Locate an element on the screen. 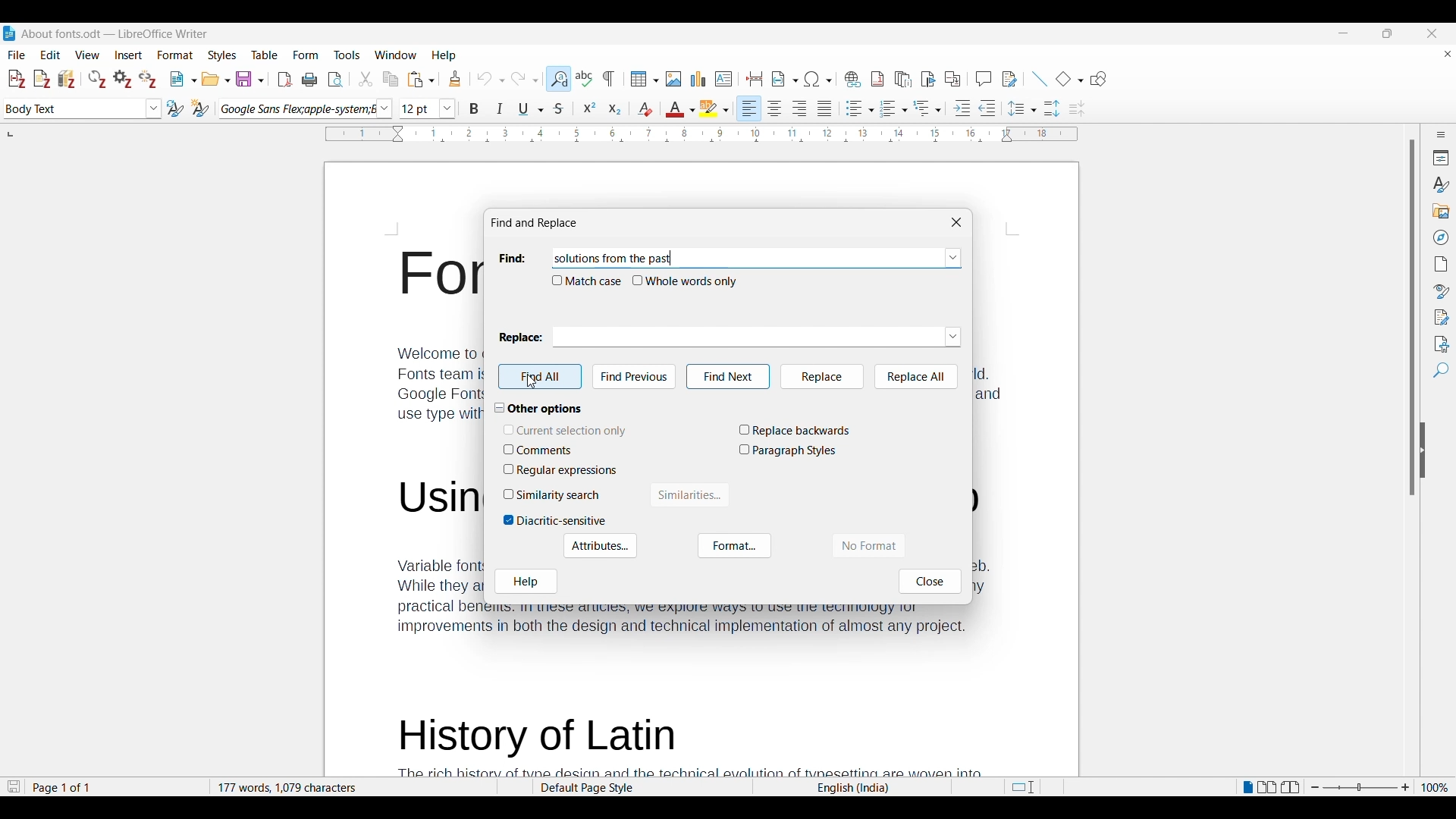 This screenshot has height=819, width=1456. Increase paragraph spacing is located at coordinates (1053, 108).